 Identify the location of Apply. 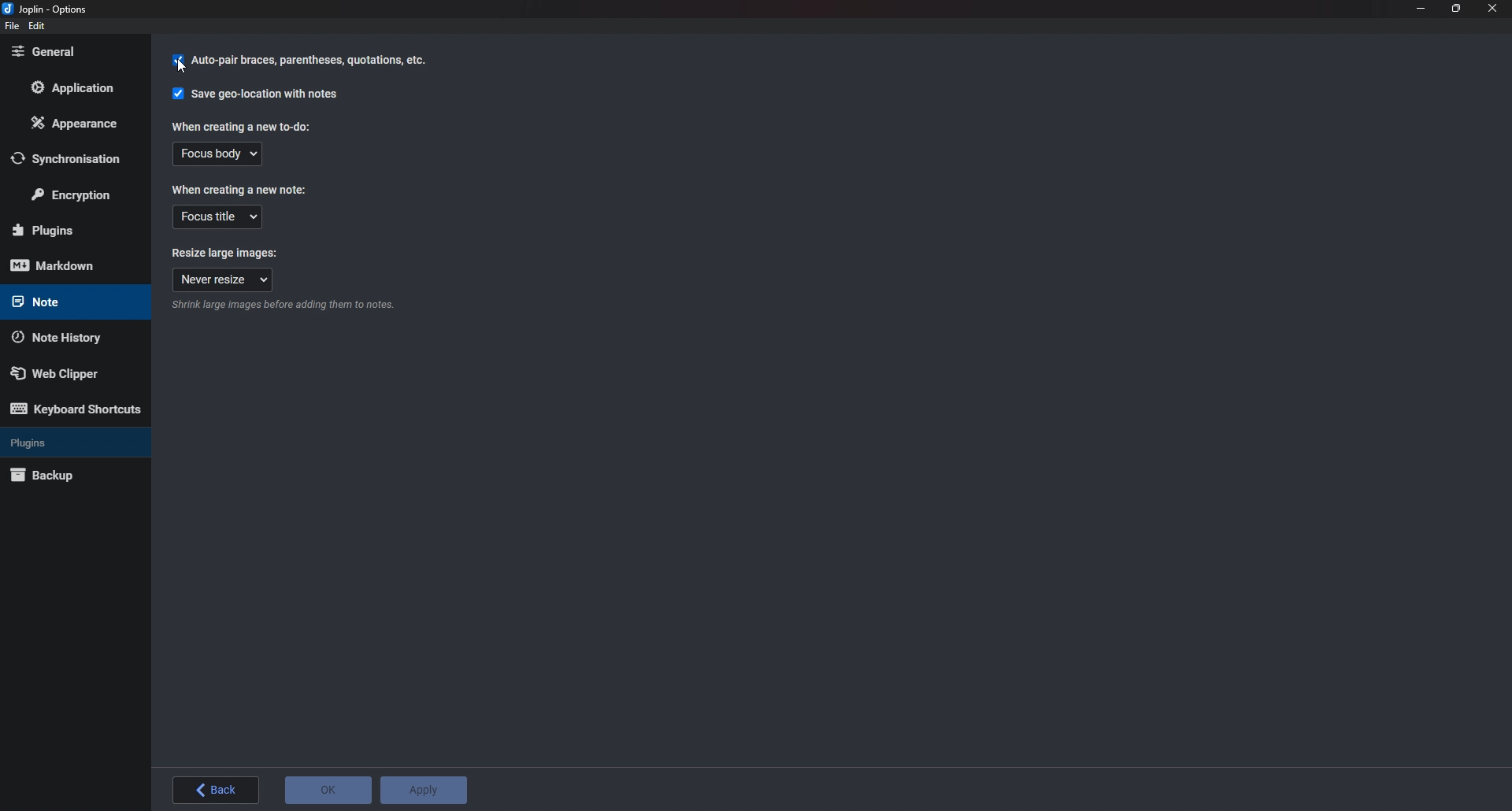
(422, 791).